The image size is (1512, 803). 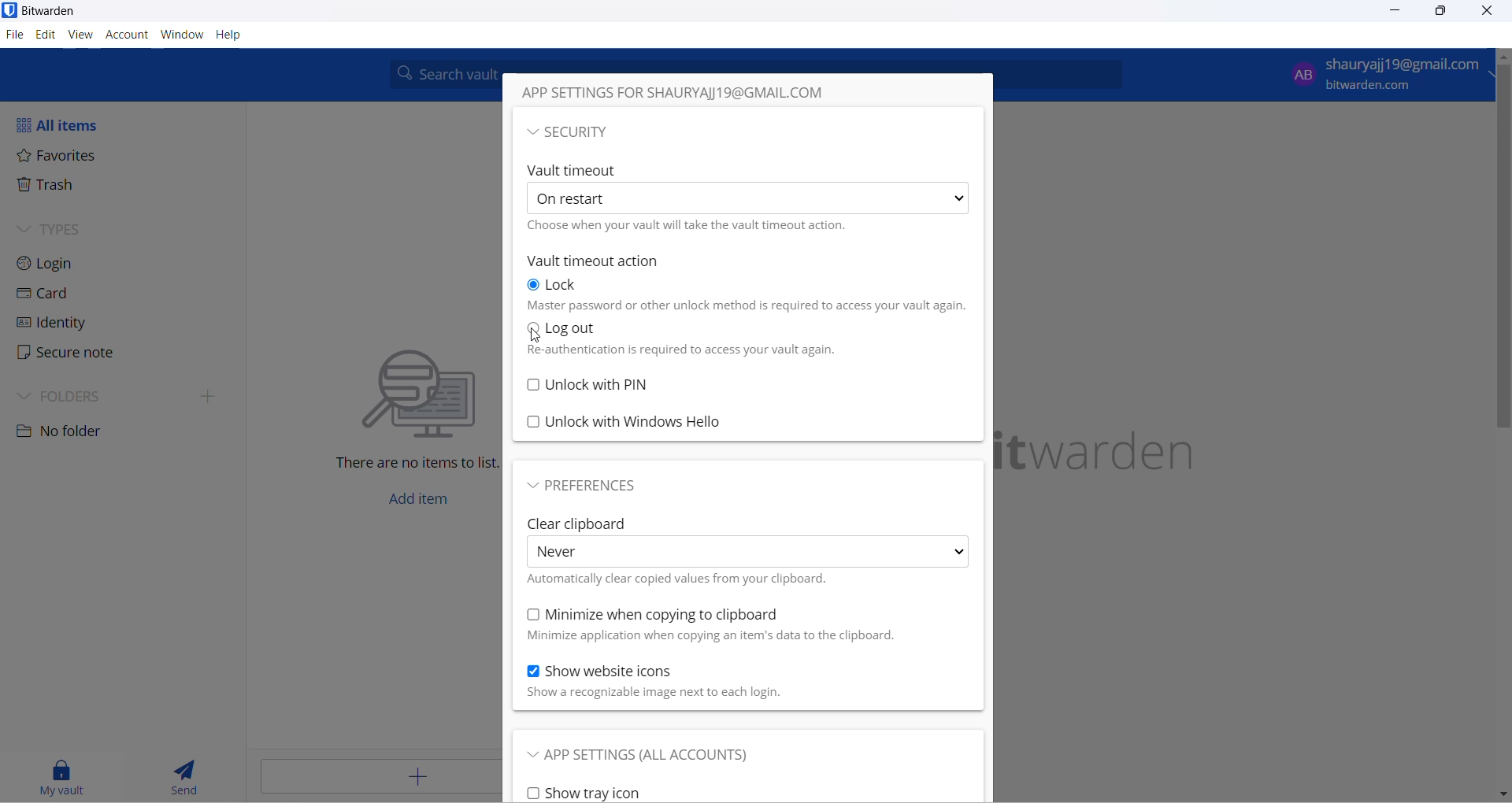 What do you see at coordinates (750, 305) in the screenshot?
I see `text` at bounding box center [750, 305].